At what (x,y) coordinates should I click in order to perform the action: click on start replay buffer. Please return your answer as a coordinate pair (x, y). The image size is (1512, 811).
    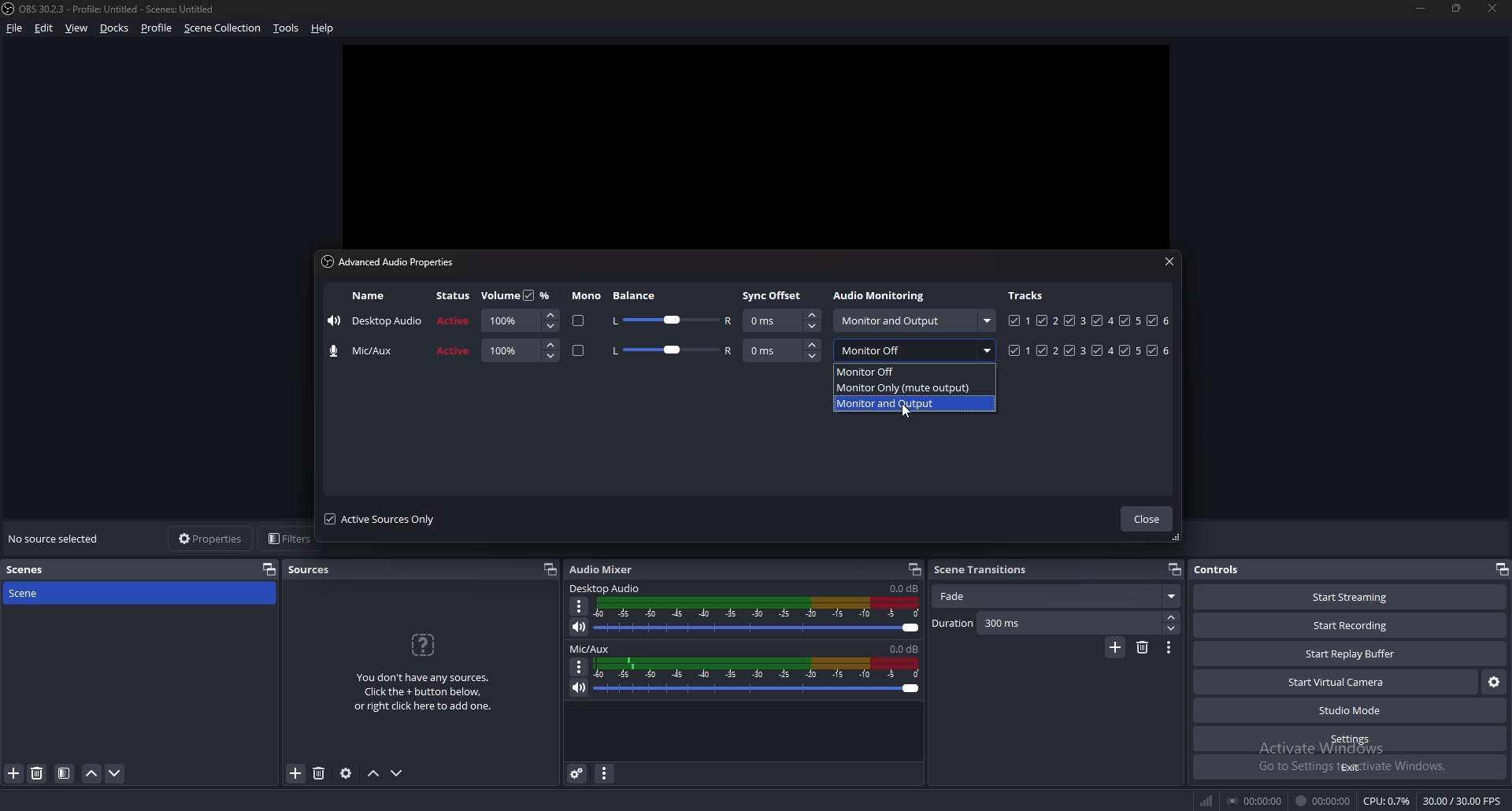
    Looking at the image, I should click on (1351, 654).